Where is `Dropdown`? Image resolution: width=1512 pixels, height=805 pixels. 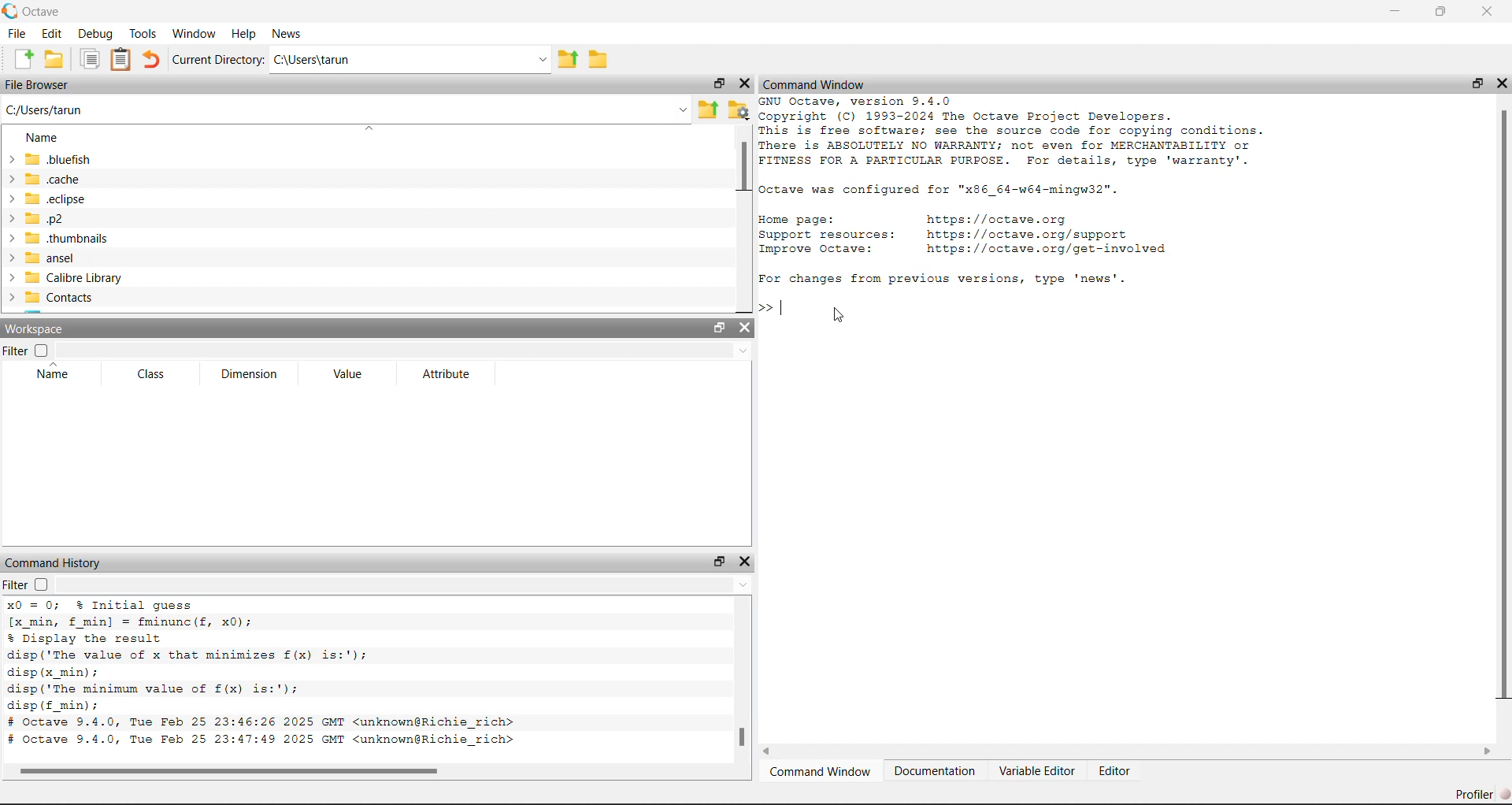 Dropdown is located at coordinates (680, 108).